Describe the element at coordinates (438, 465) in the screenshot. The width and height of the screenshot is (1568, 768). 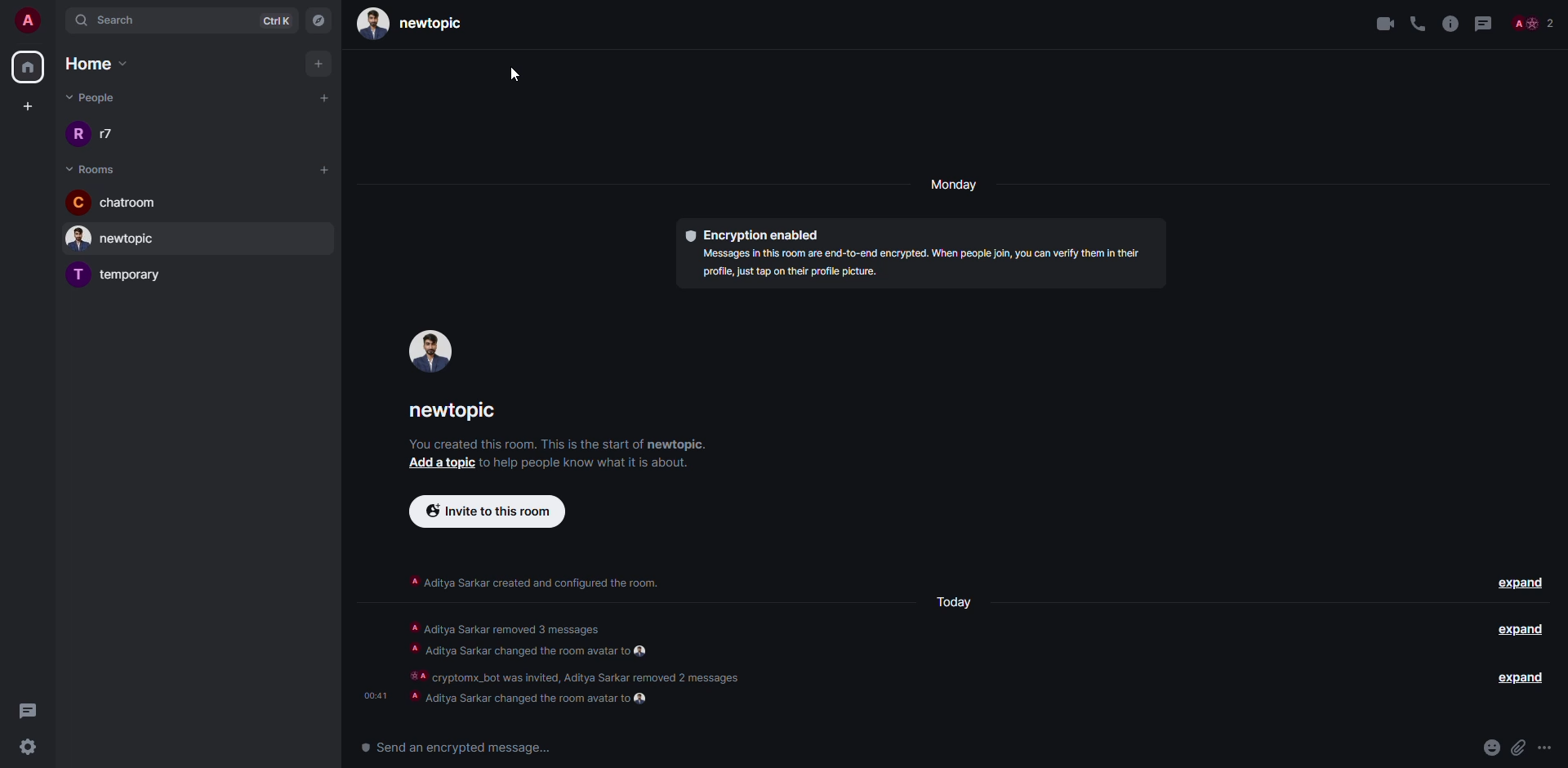
I see `add a topic` at that location.